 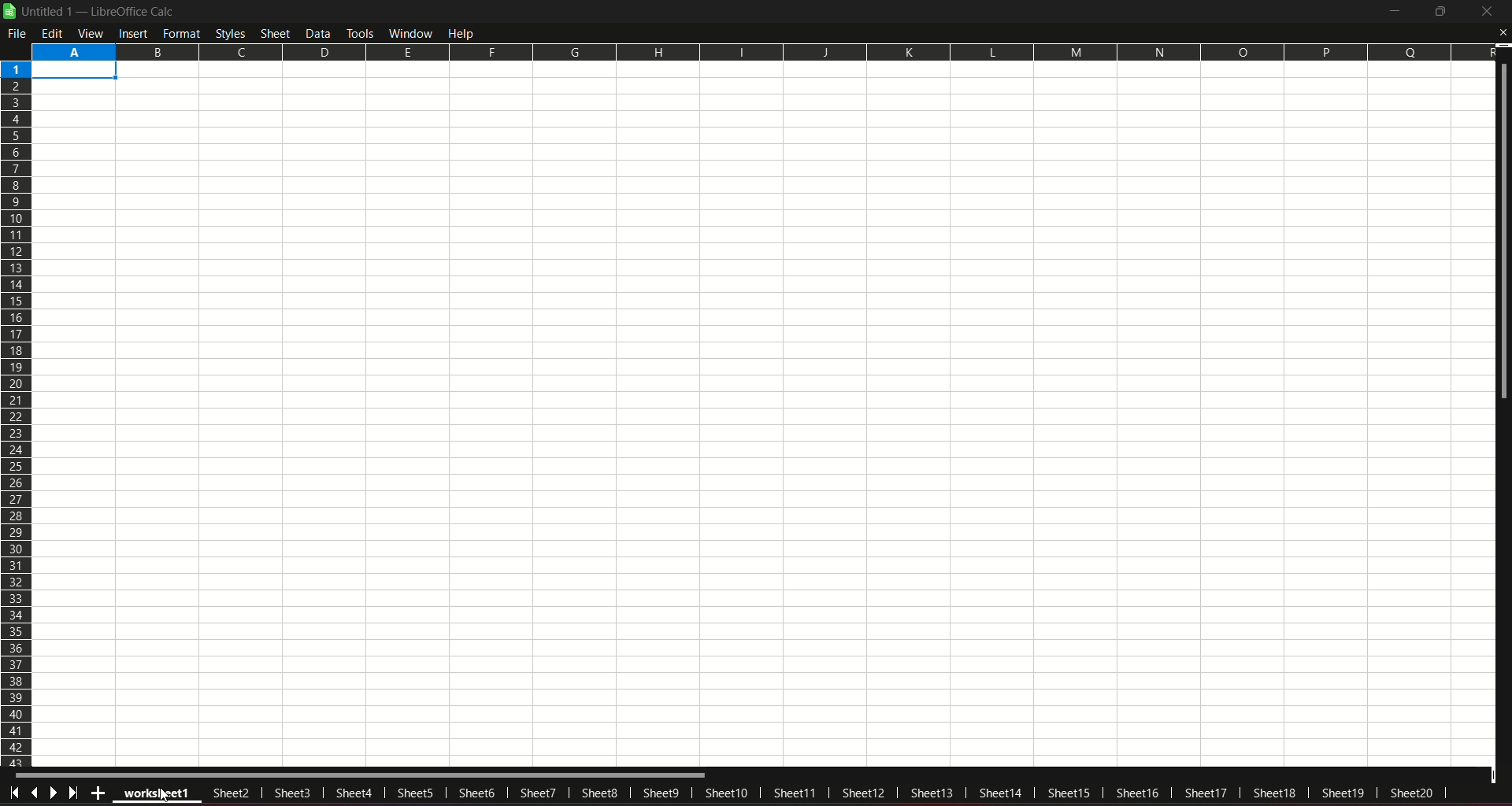 What do you see at coordinates (1503, 235) in the screenshot?
I see `vertical scroll` at bounding box center [1503, 235].